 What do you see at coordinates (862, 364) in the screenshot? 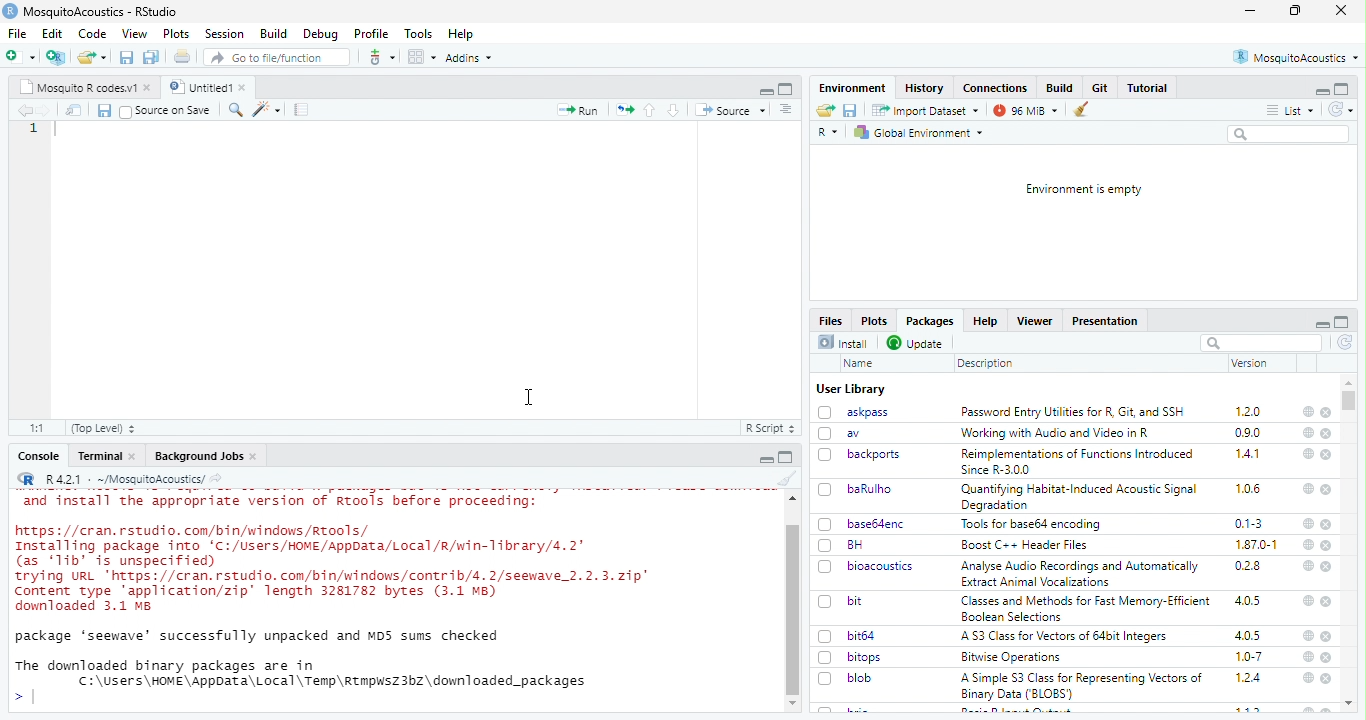
I see `Name` at bounding box center [862, 364].